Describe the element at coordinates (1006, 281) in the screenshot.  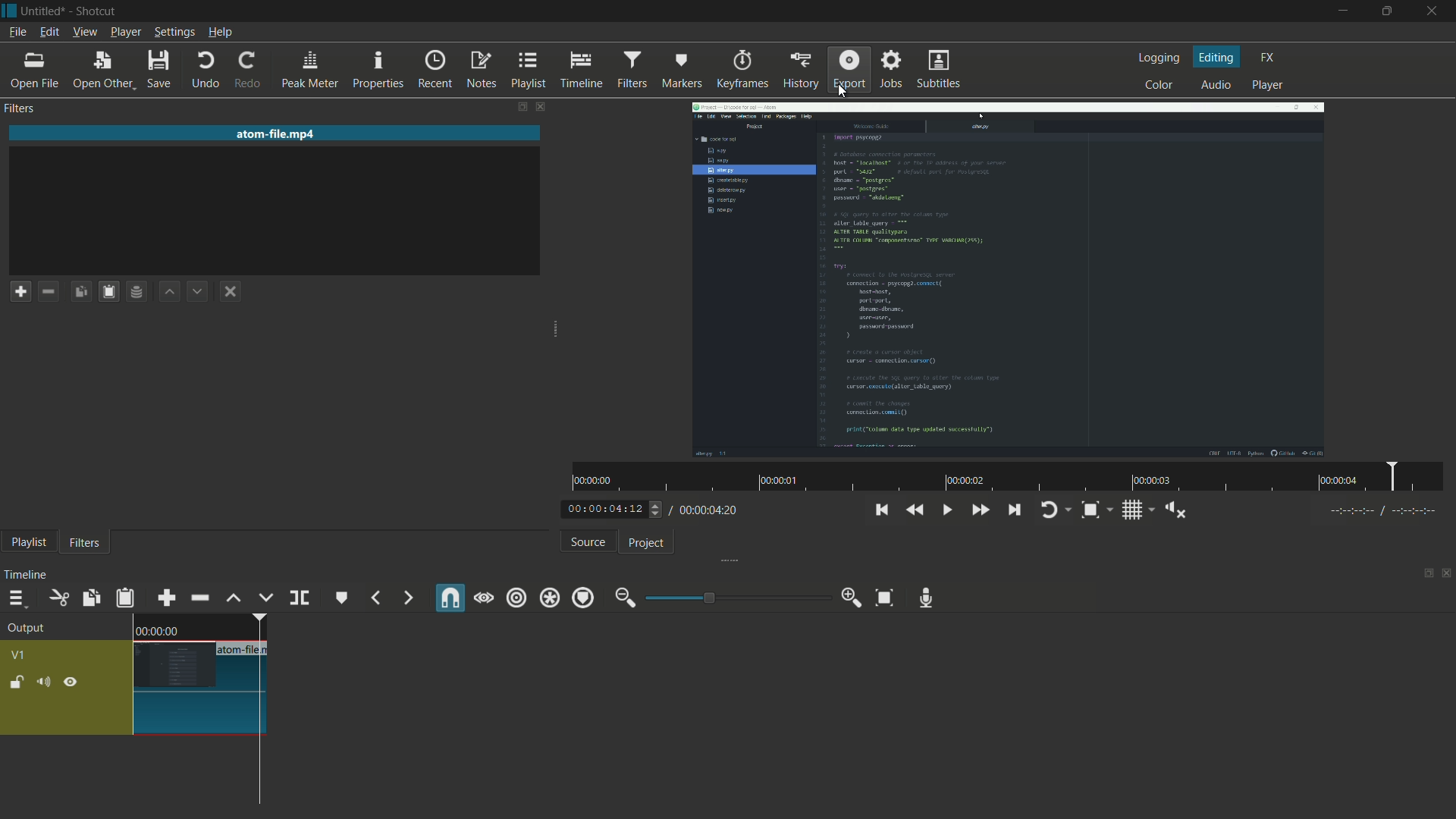
I see `imported file` at that location.